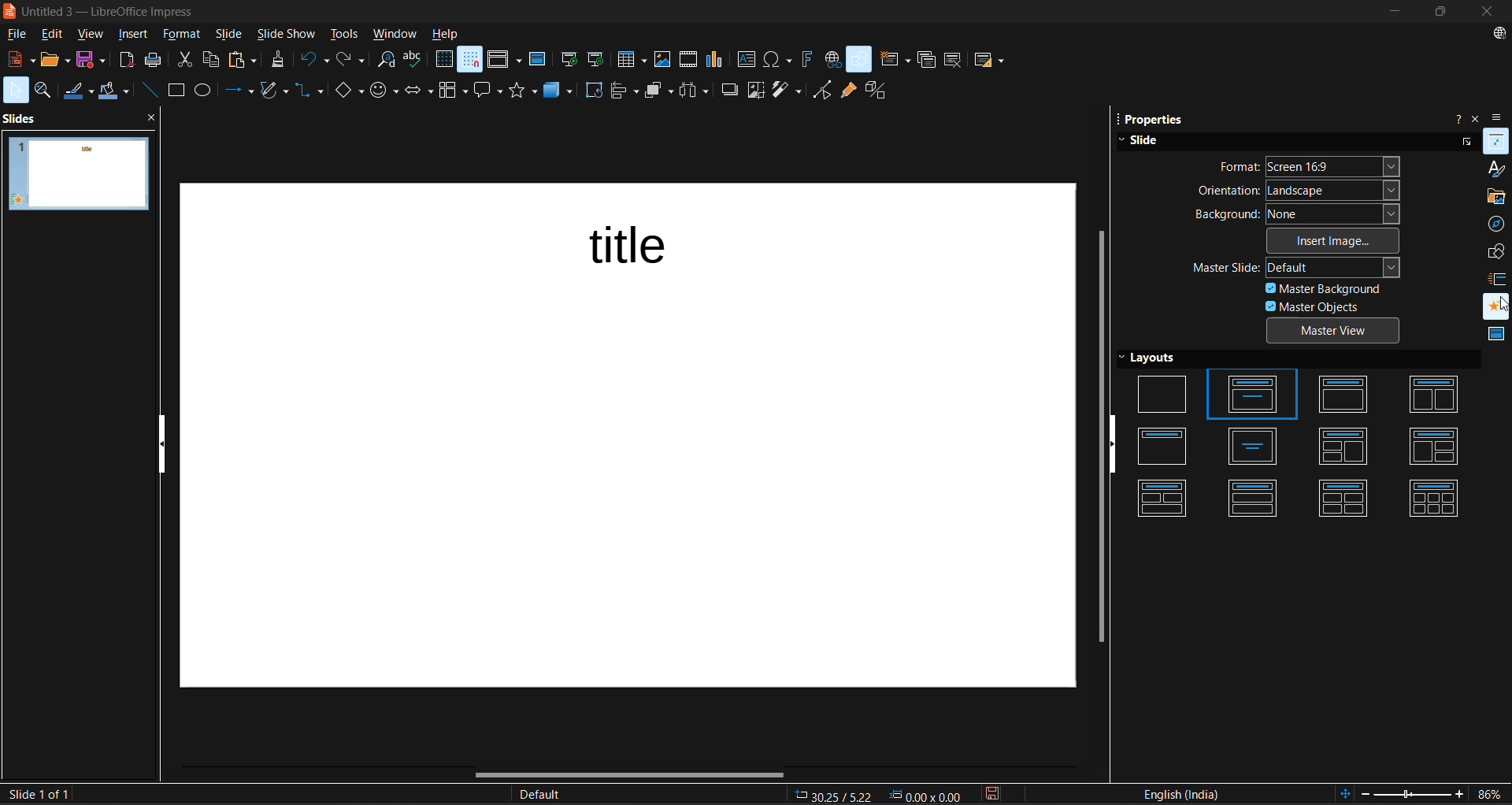 This screenshot has height=805, width=1512. I want to click on filter, so click(789, 91).